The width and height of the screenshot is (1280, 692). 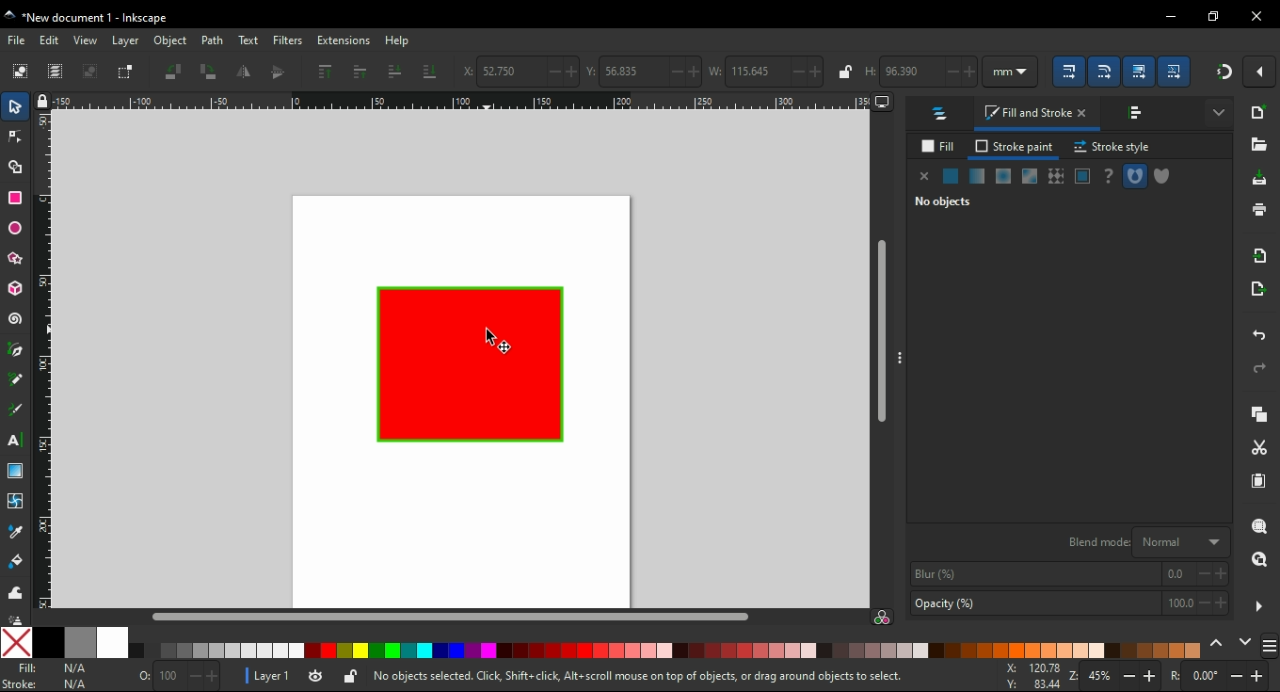 I want to click on 0, so click(x=1204, y=675).